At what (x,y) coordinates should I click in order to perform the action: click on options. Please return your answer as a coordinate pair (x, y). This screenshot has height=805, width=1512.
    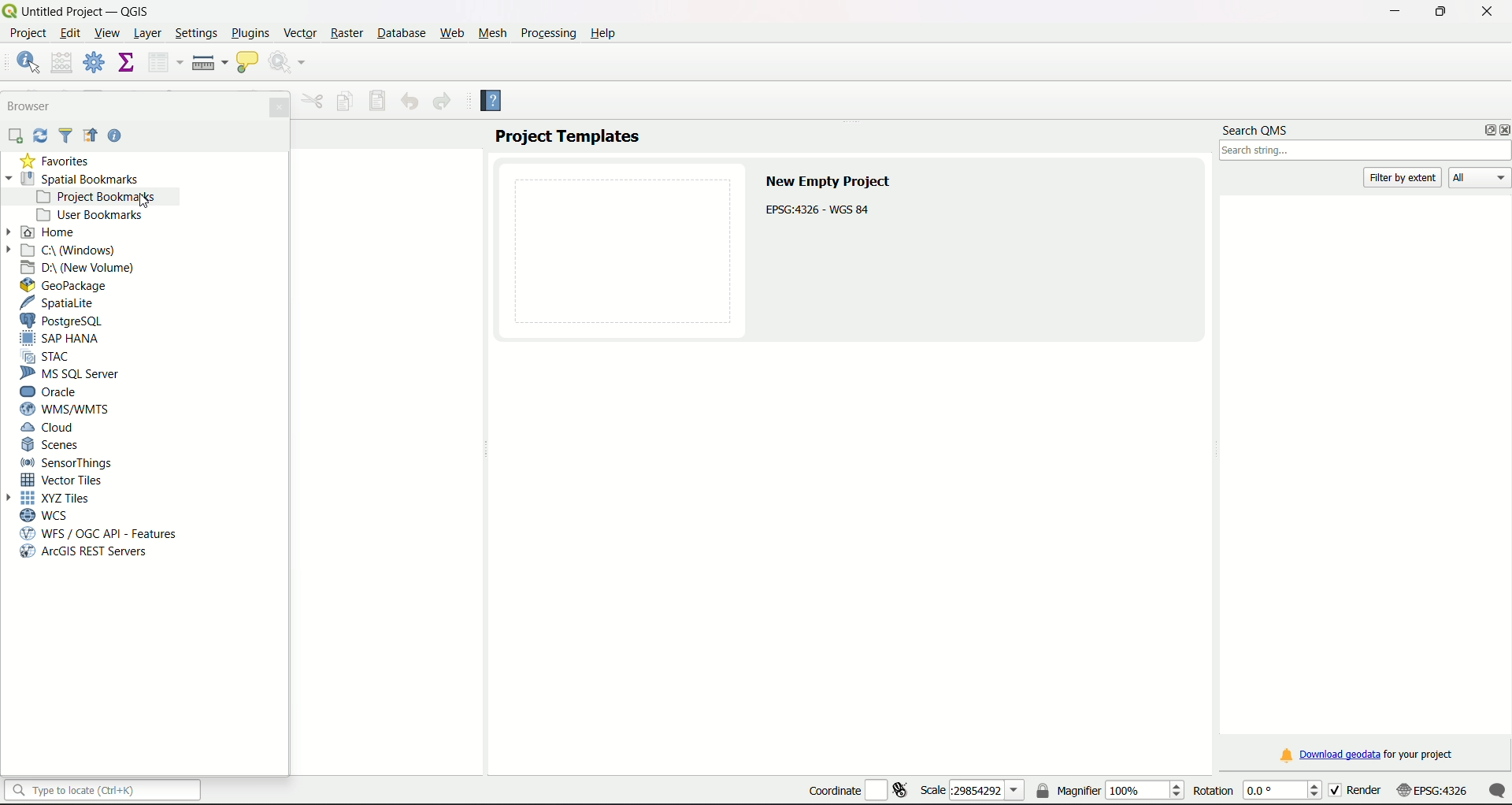
    Looking at the image, I should click on (1484, 130).